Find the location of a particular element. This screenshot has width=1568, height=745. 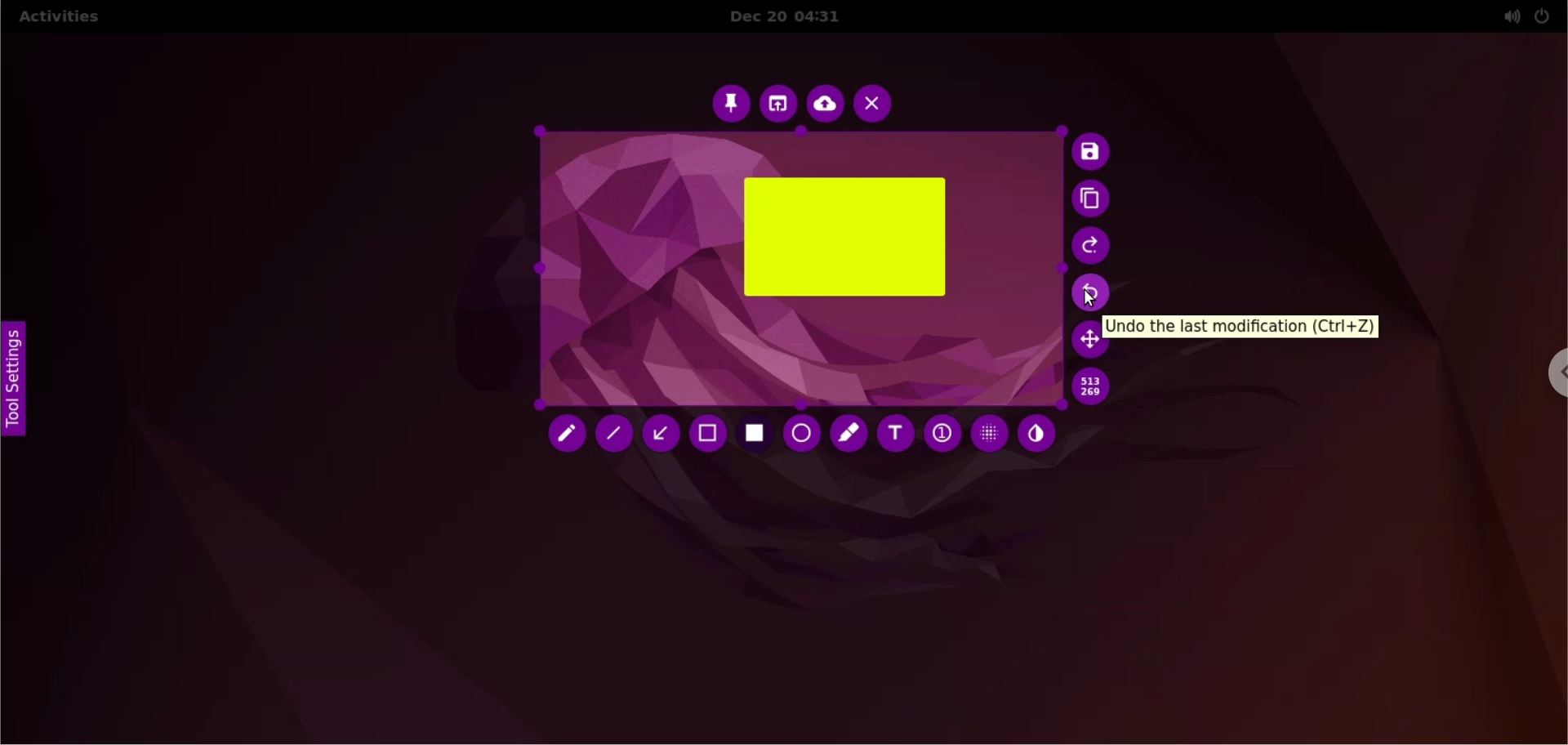

auto increment is located at coordinates (940, 434).